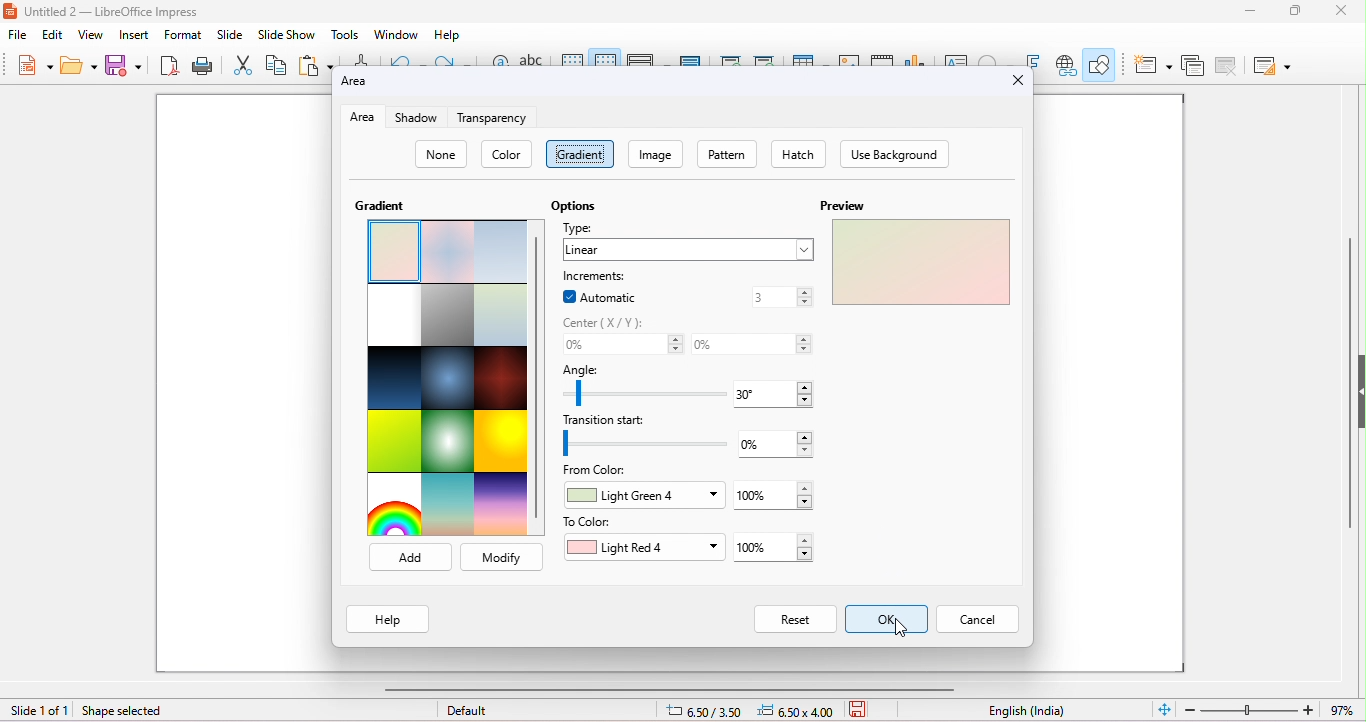 This screenshot has height=722, width=1366. I want to click on Gradient option 4, so click(391, 315).